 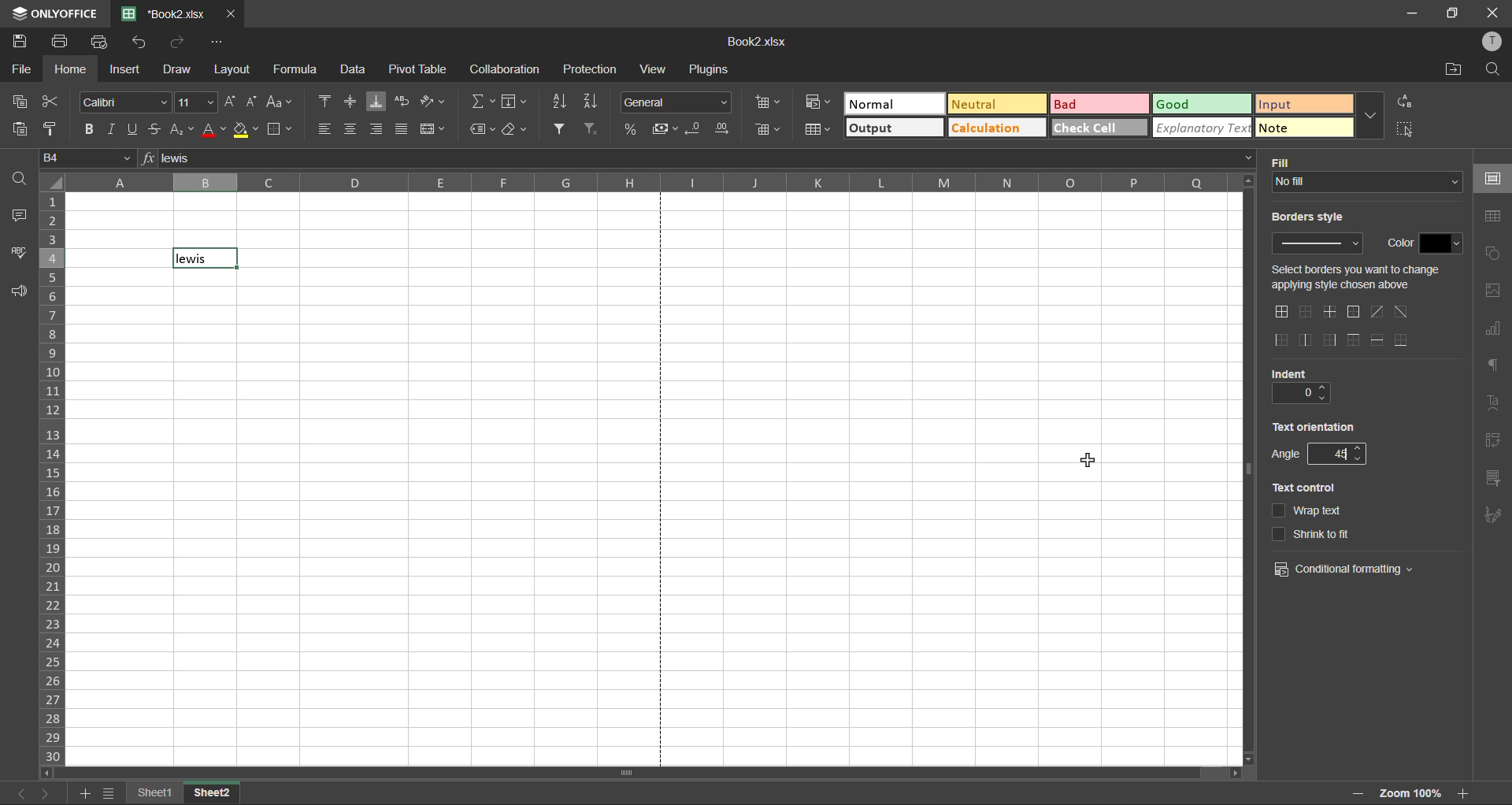 What do you see at coordinates (1302, 129) in the screenshot?
I see `note` at bounding box center [1302, 129].